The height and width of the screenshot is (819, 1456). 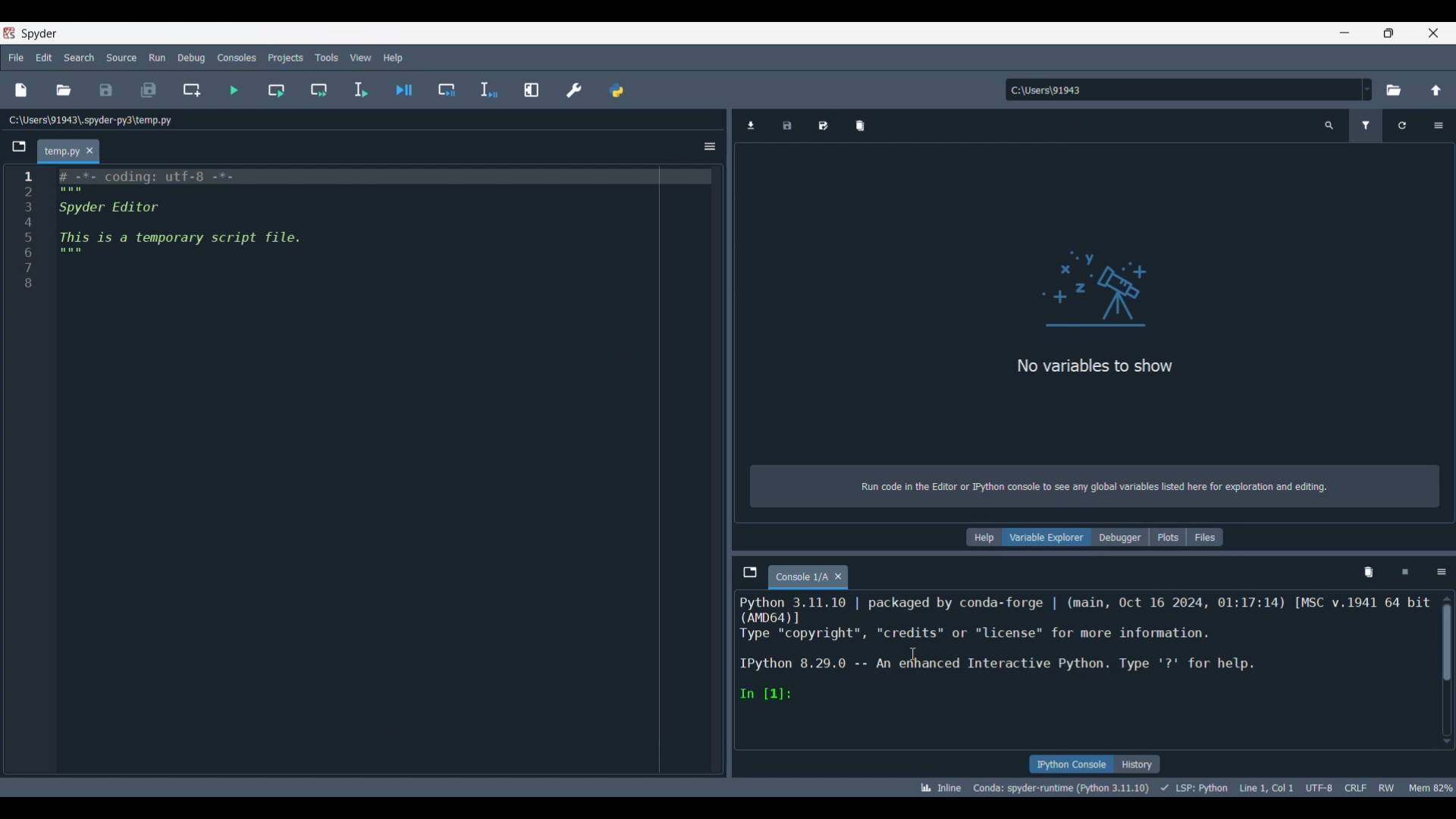 What do you see at coordinates (1367, 89) in the screenshot?
I see `Location options` at bounding box center [1367, 89].